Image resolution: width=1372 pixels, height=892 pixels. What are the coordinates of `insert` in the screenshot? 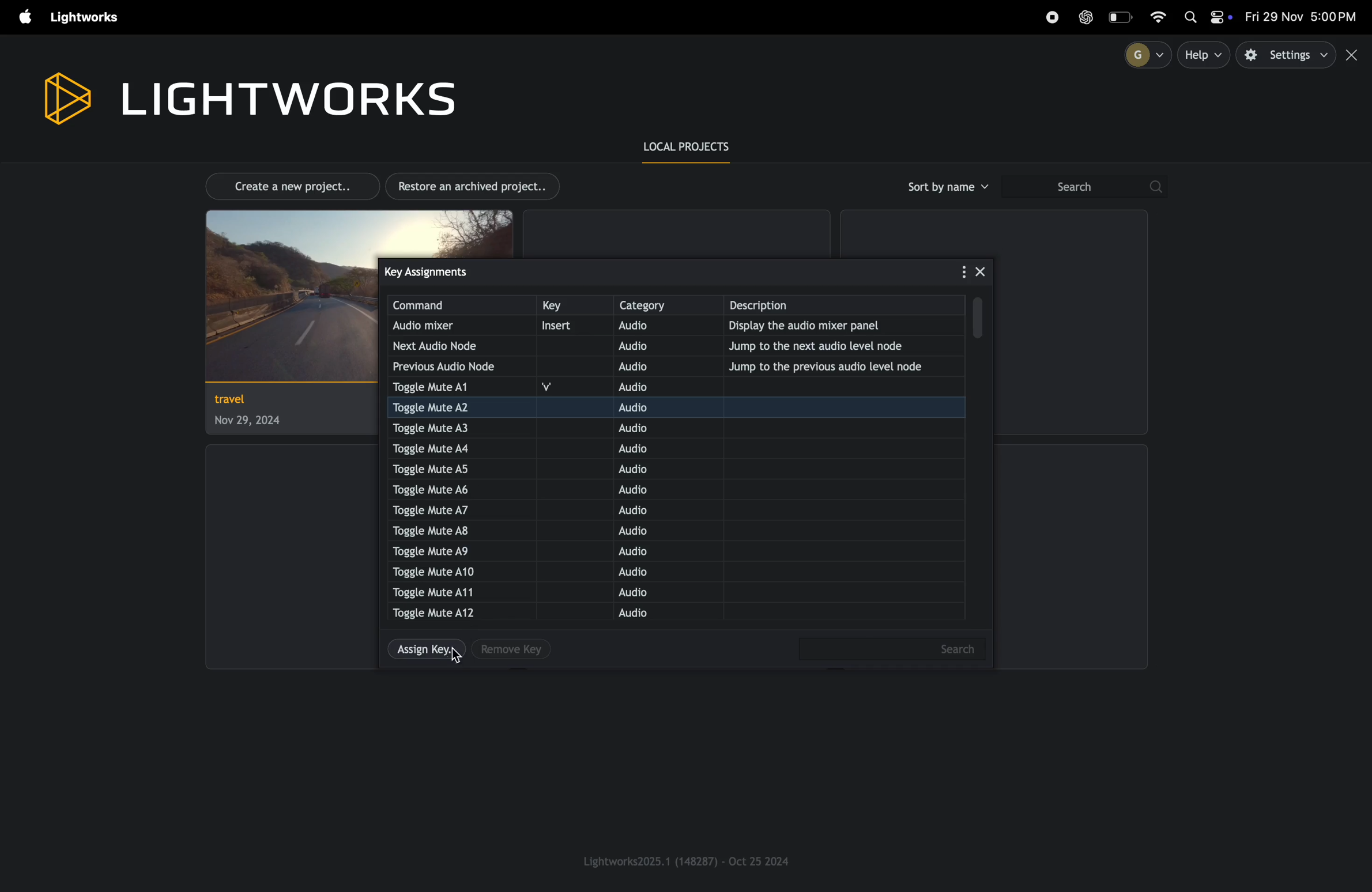 It's located at (568, 326).